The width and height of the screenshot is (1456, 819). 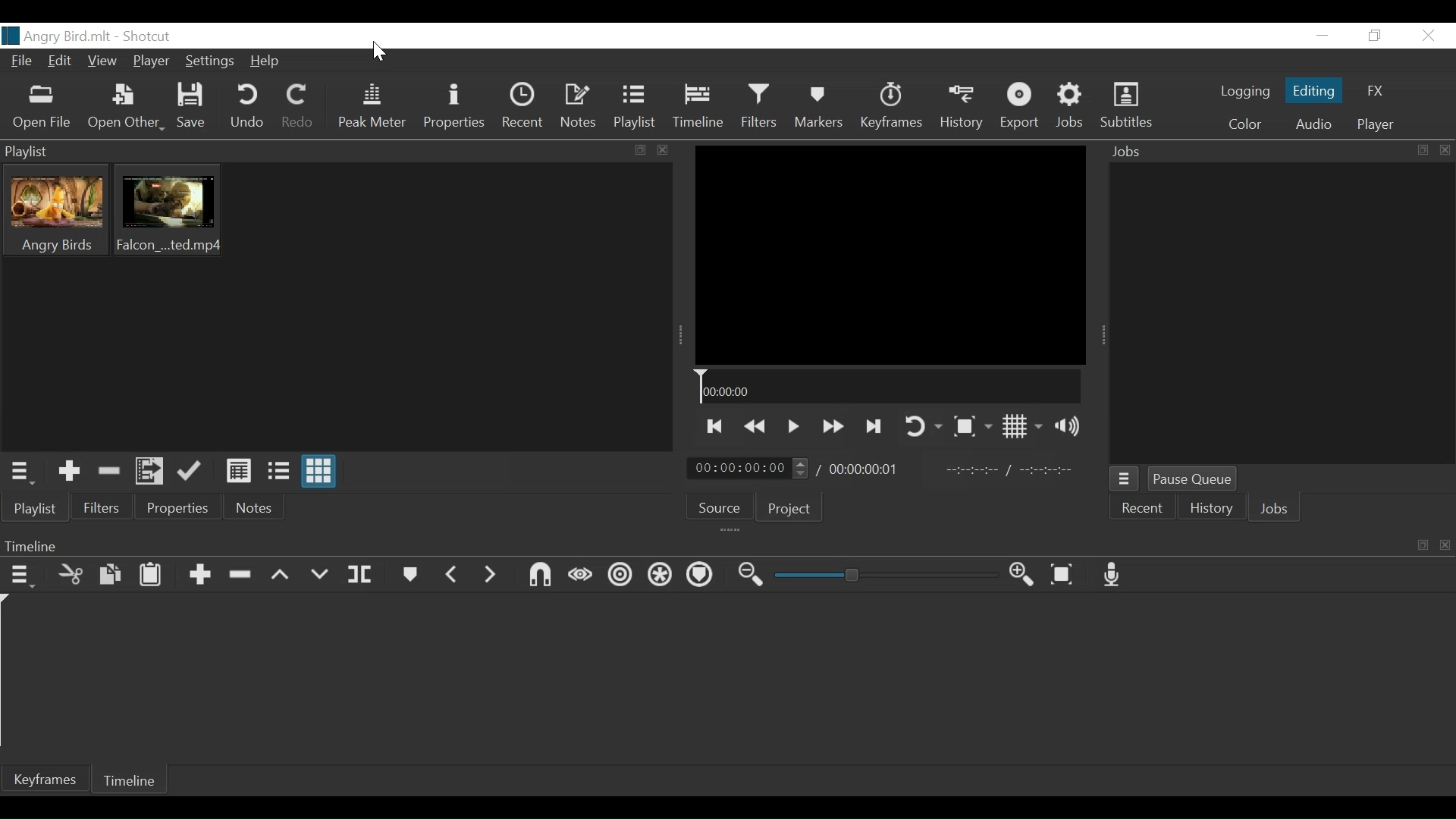 I want to click on minimize, so click(x=1325, y=35).